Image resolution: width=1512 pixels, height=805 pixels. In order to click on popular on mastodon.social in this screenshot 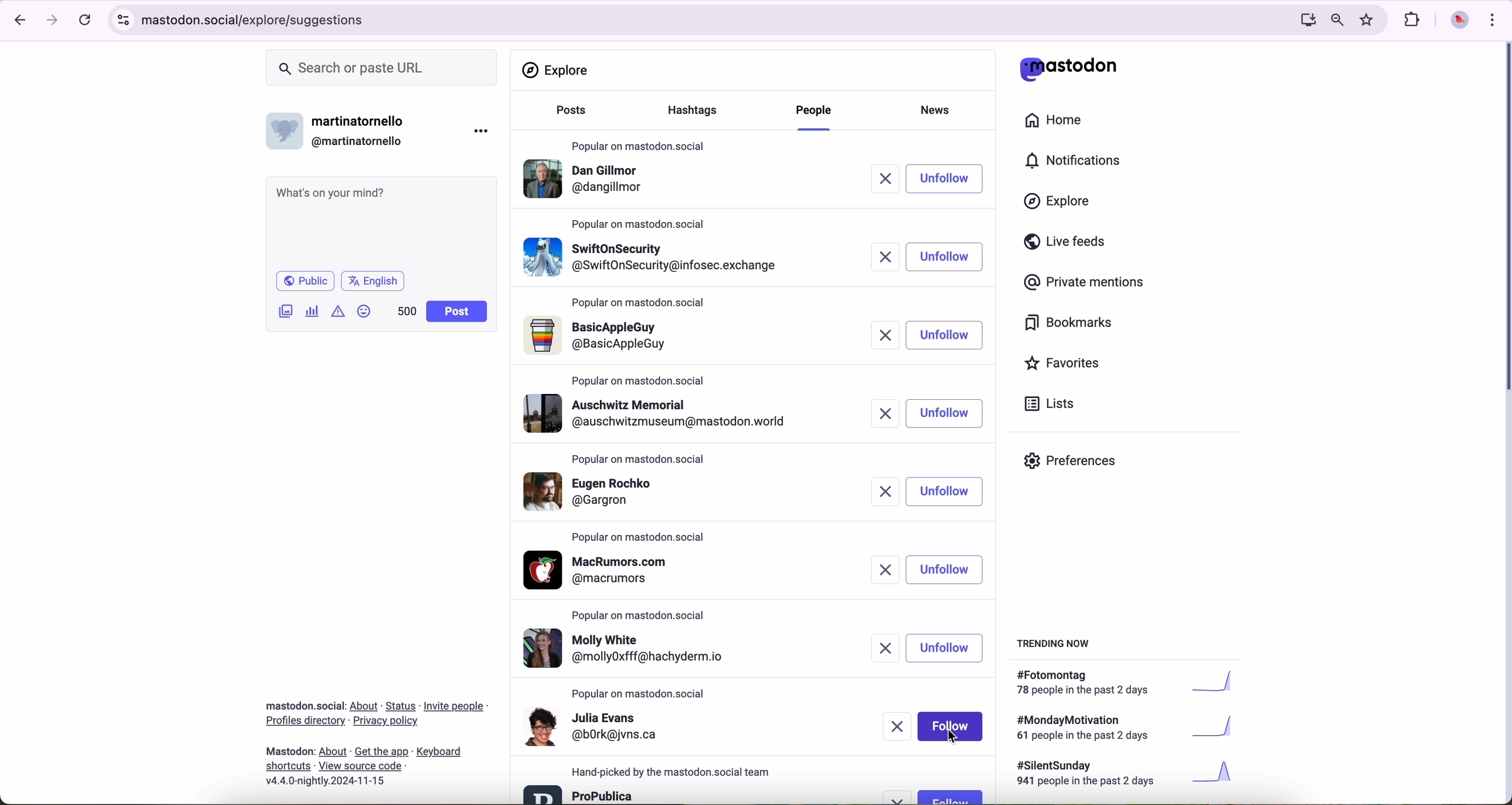, I will do `click(640, 694)`.